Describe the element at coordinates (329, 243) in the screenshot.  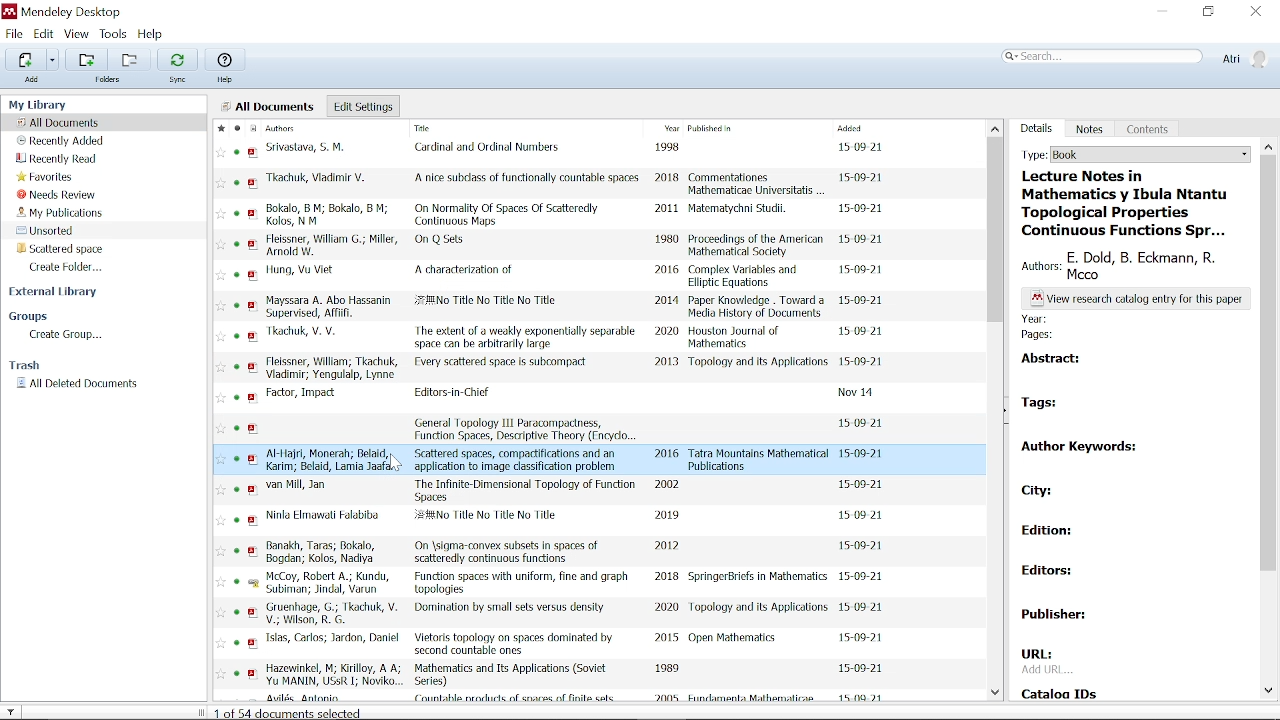
I see `authors` at that location.